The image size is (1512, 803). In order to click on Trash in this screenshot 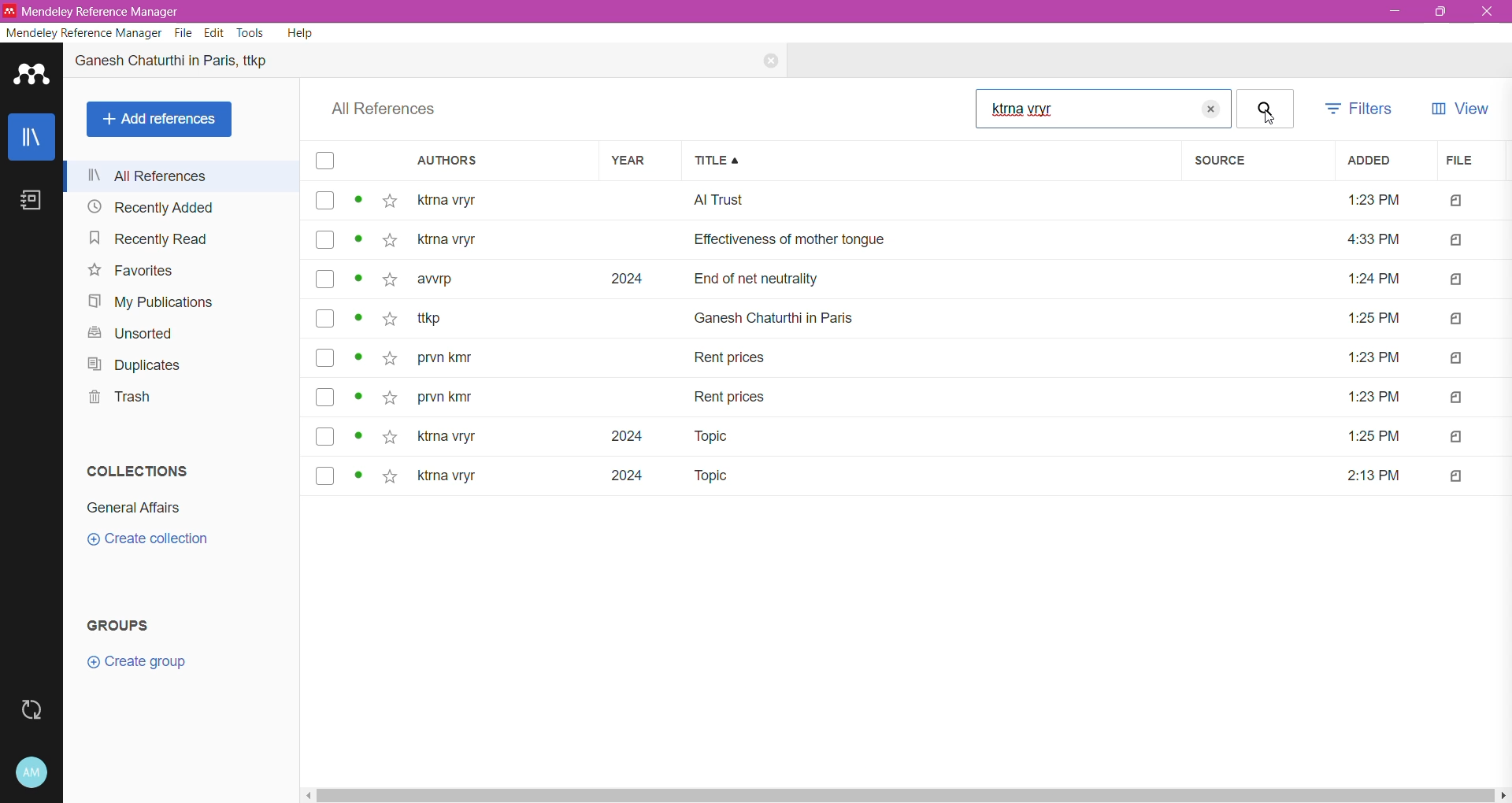, I will do `click(120, 400)`.